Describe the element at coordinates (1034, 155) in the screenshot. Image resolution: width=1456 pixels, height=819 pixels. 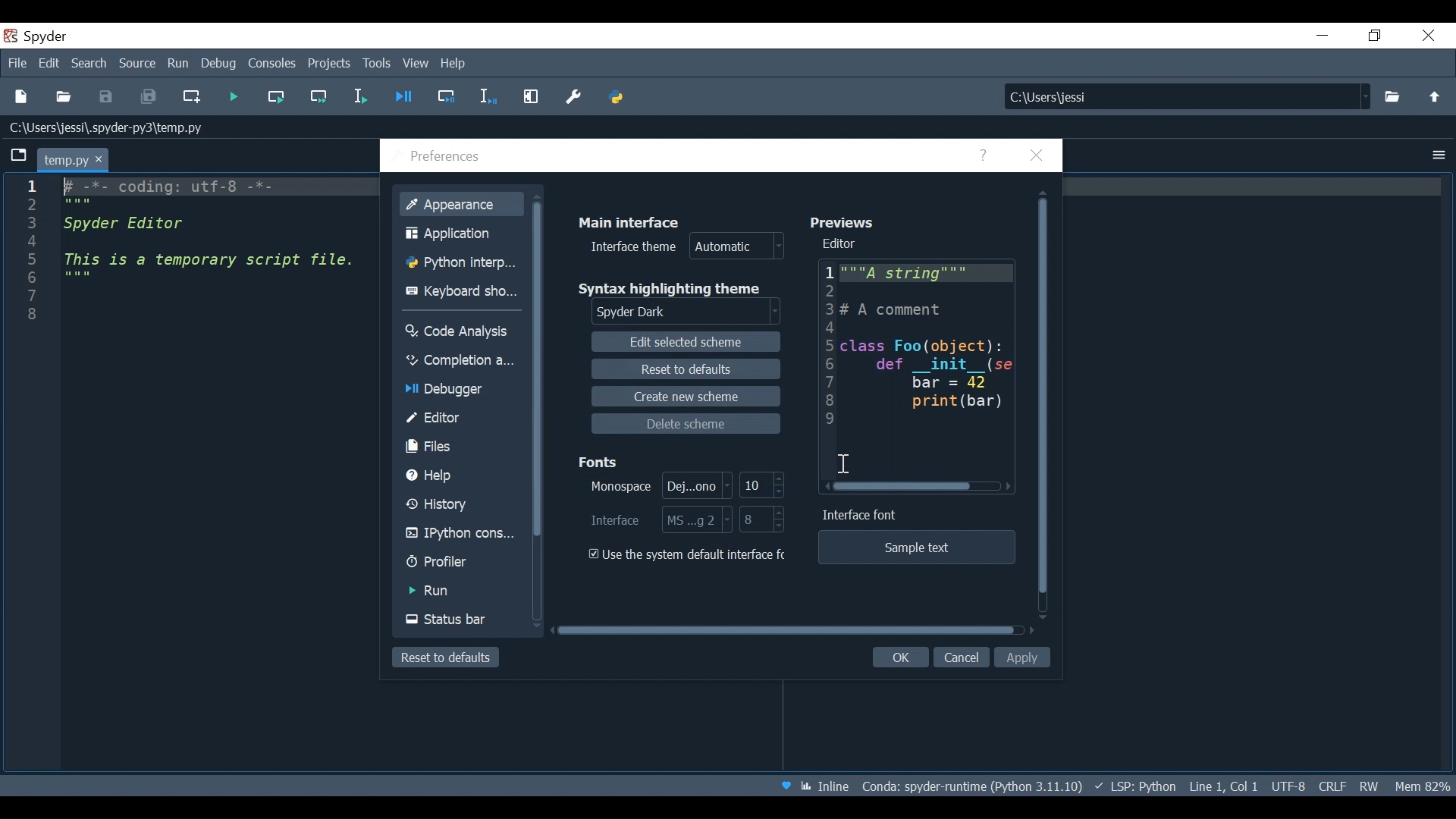
I see `Close` at that location.